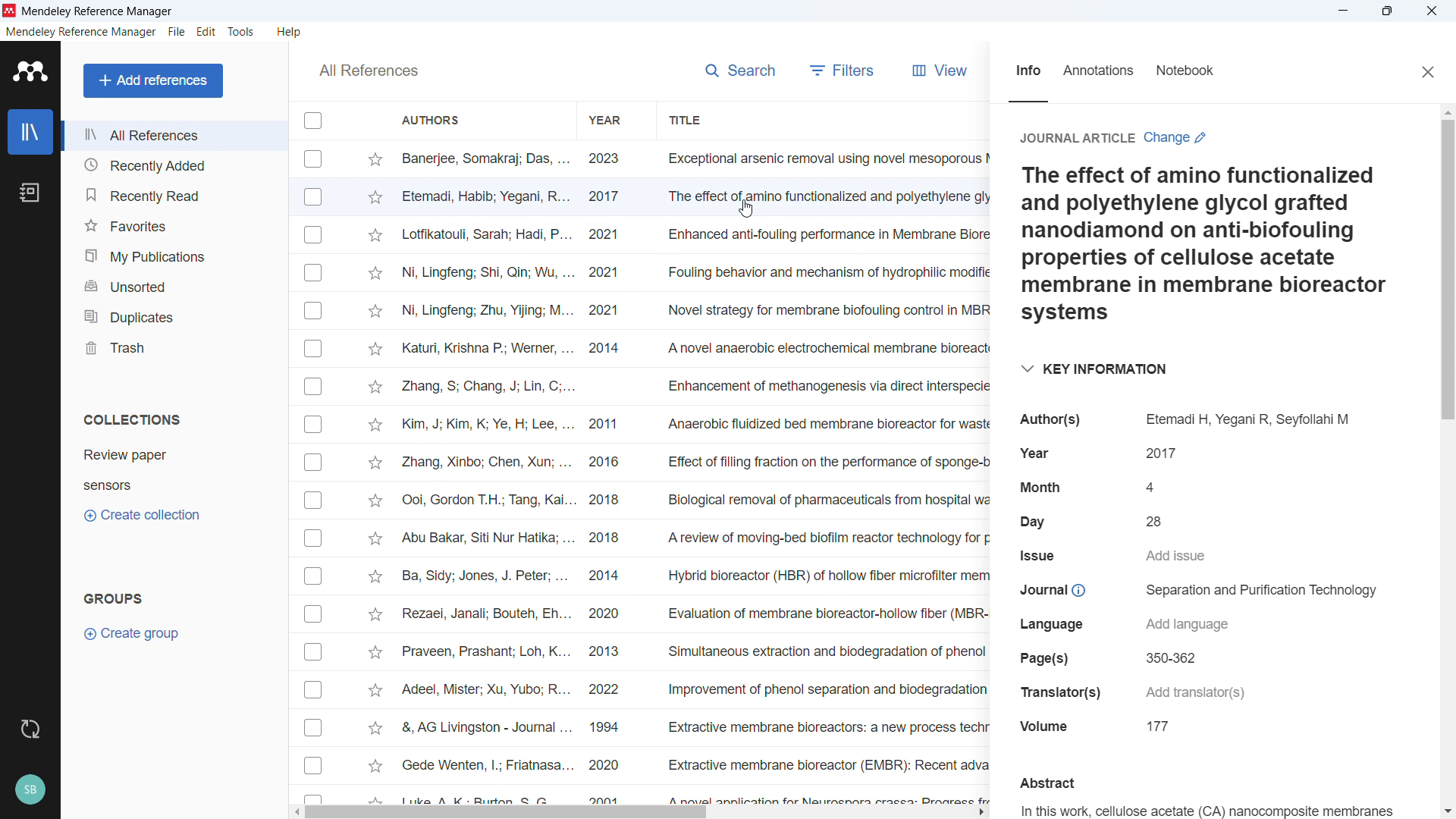 This screenshot has height=819, width=1456. What do you see at coordinates (1447, 111) in the screenshot?
I see `Scroll up ` at bounding box center [1447, 111].